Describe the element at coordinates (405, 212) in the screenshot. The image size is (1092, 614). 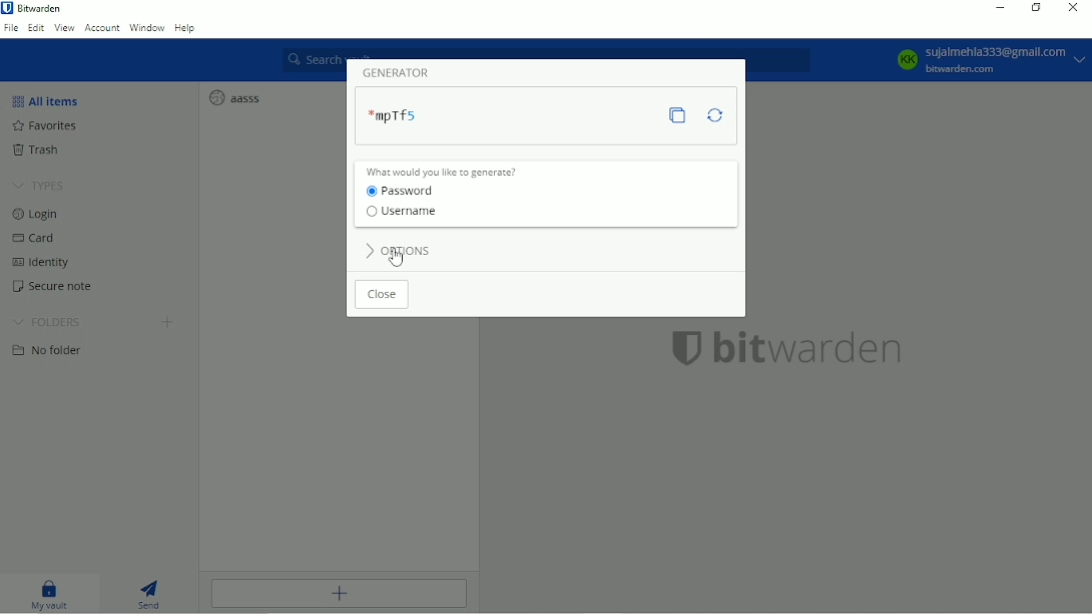
I see `Username radio button` at that location.